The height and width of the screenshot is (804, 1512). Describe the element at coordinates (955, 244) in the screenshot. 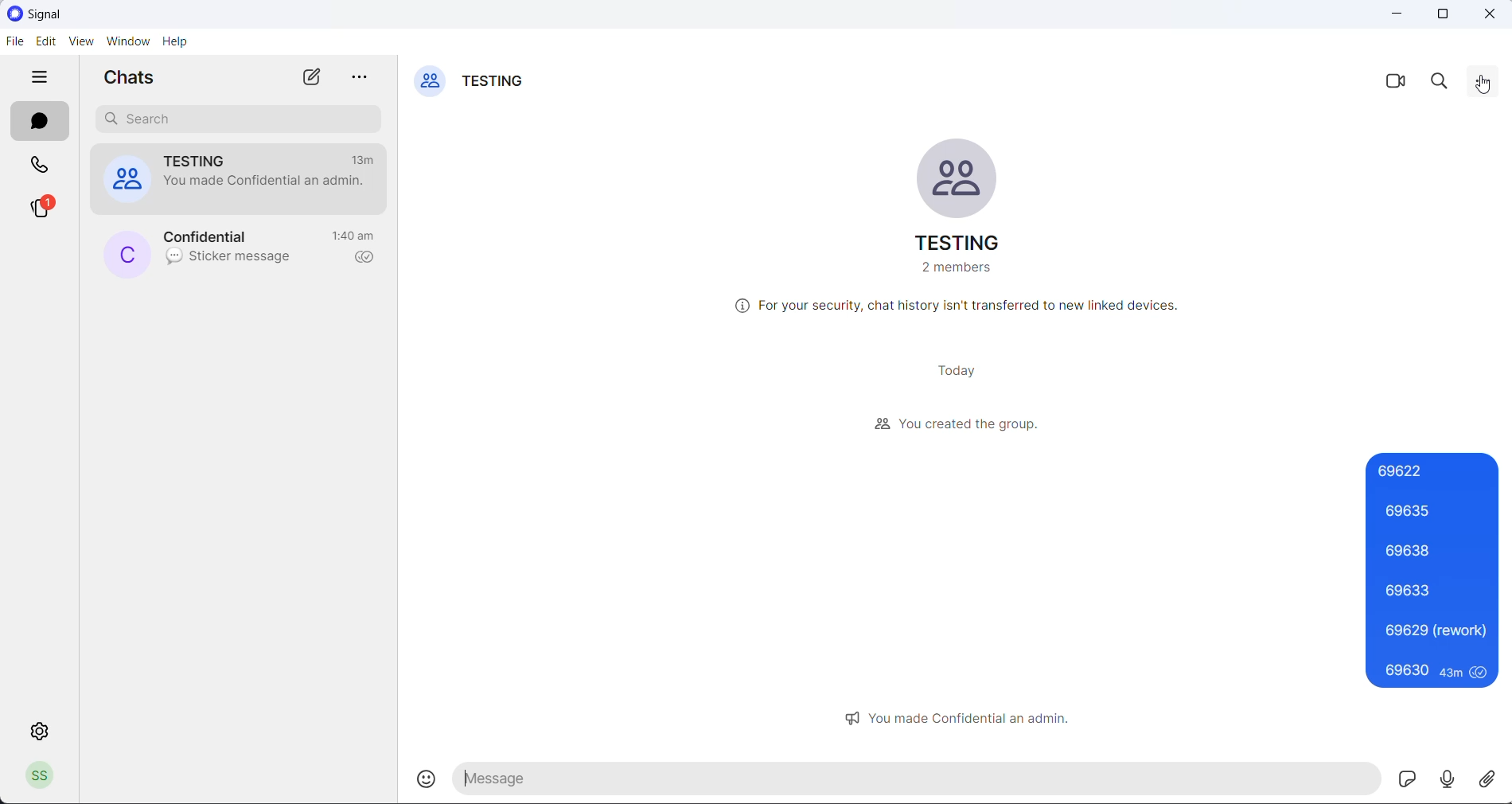

I see `group name` at that location.